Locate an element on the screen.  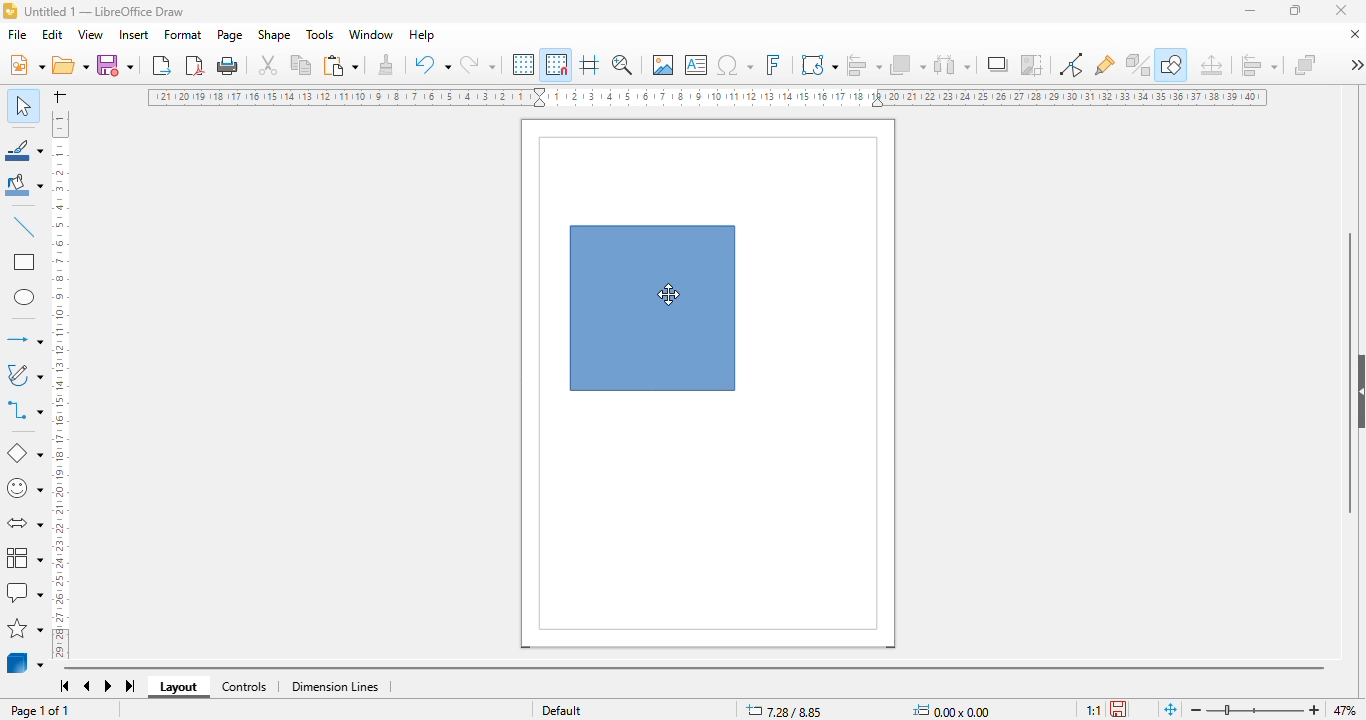
callout shapes is located at coordinates (24, 593).